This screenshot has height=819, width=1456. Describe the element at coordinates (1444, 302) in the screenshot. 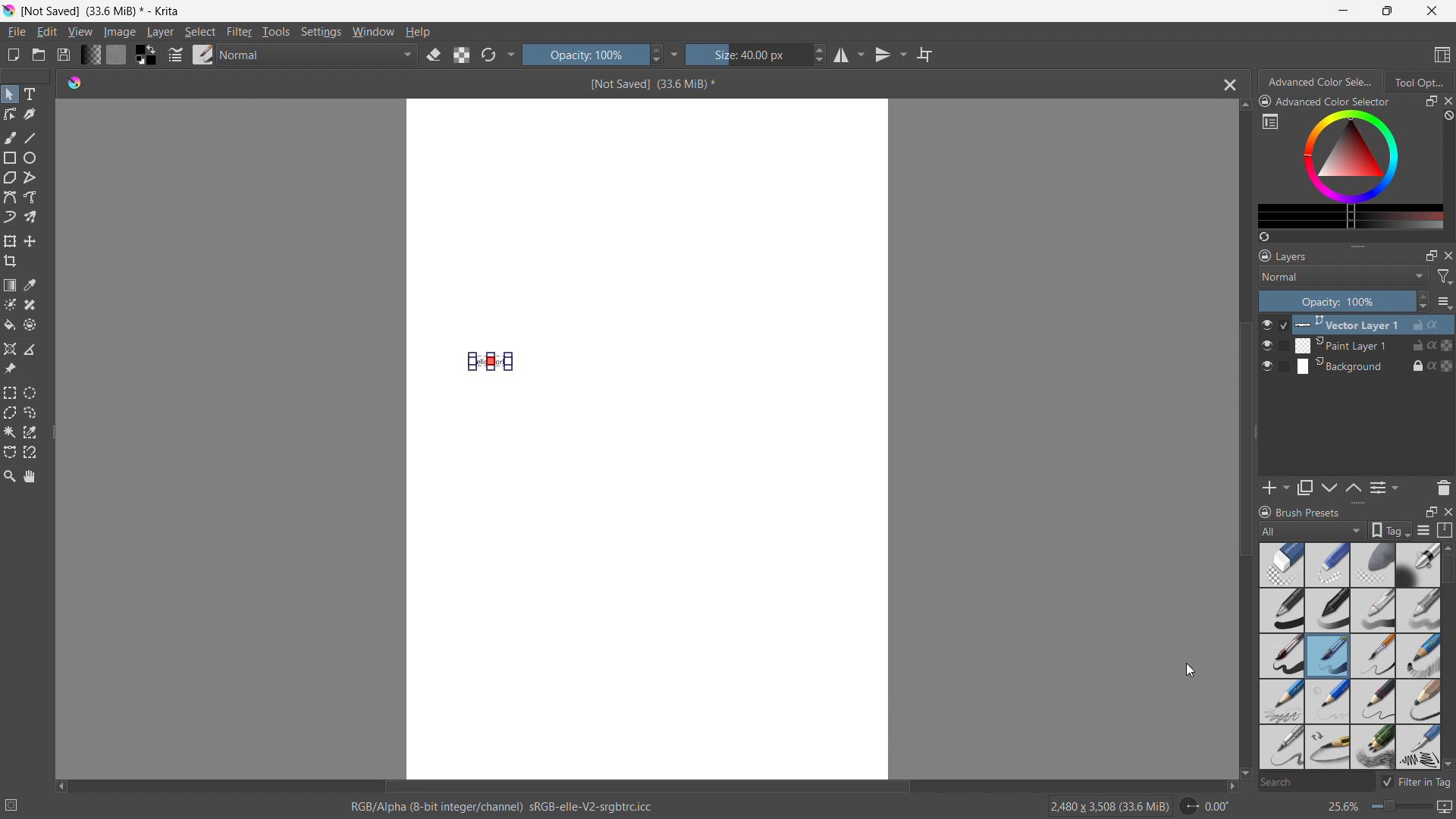

I see `options` at that location.